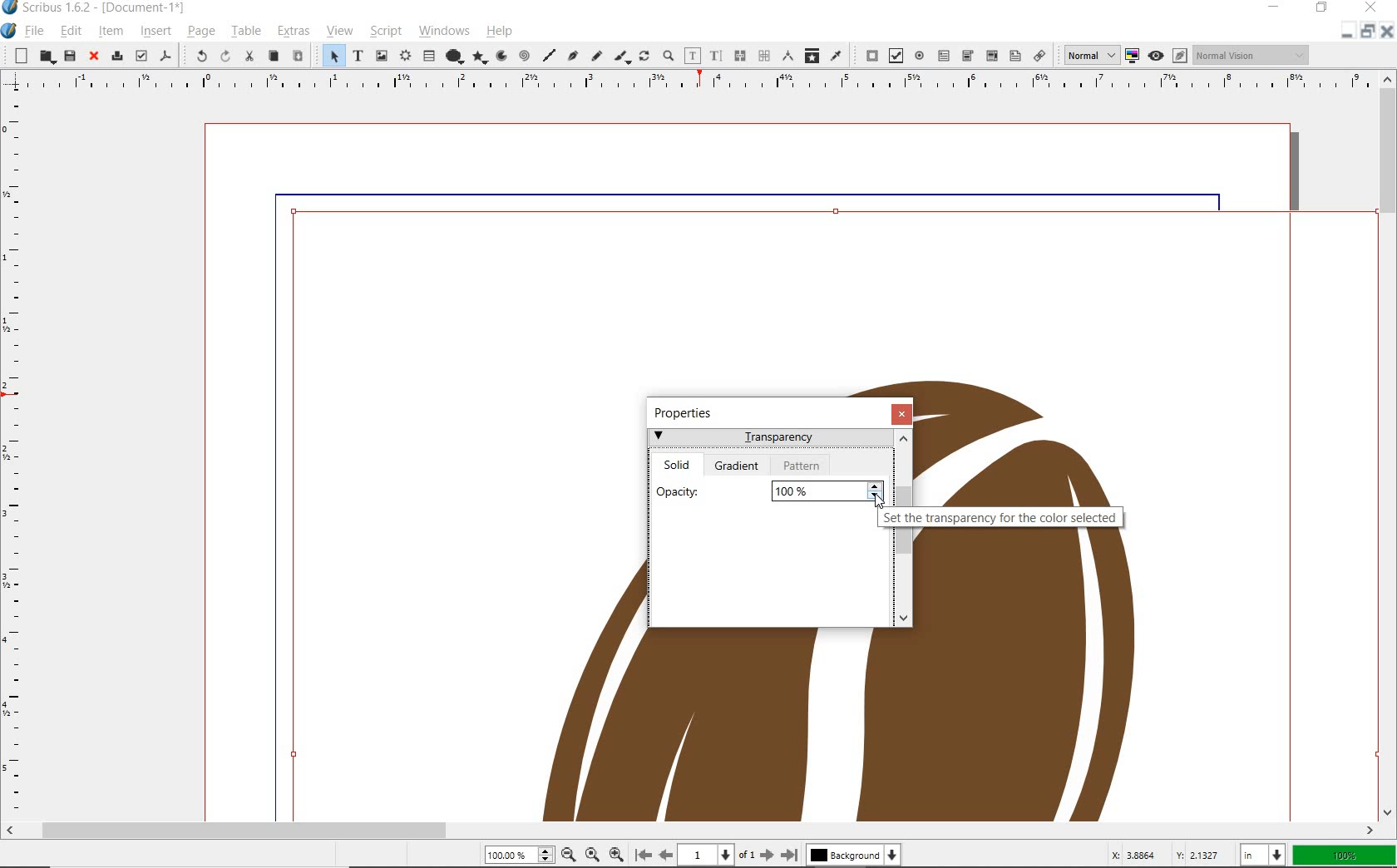 Image resolution: width=1397 pixels, height=868 pixels. What do you see at coordinates (500, 31) in the screenshot?
I see `help` at bounding box center [500, 31].